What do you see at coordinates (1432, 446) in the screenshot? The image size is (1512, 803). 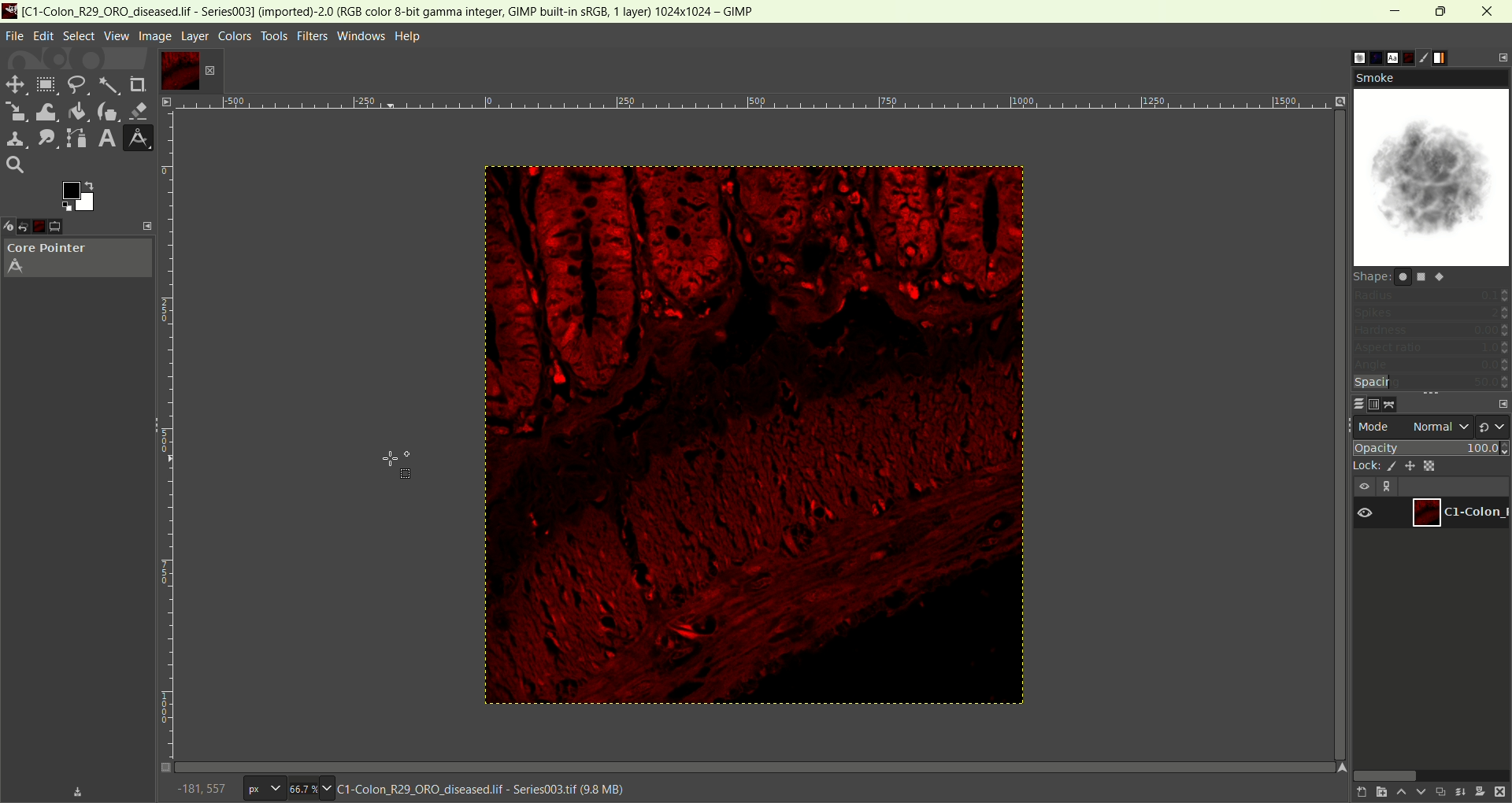 I see `opacity` at bounding box center [1432, 446].